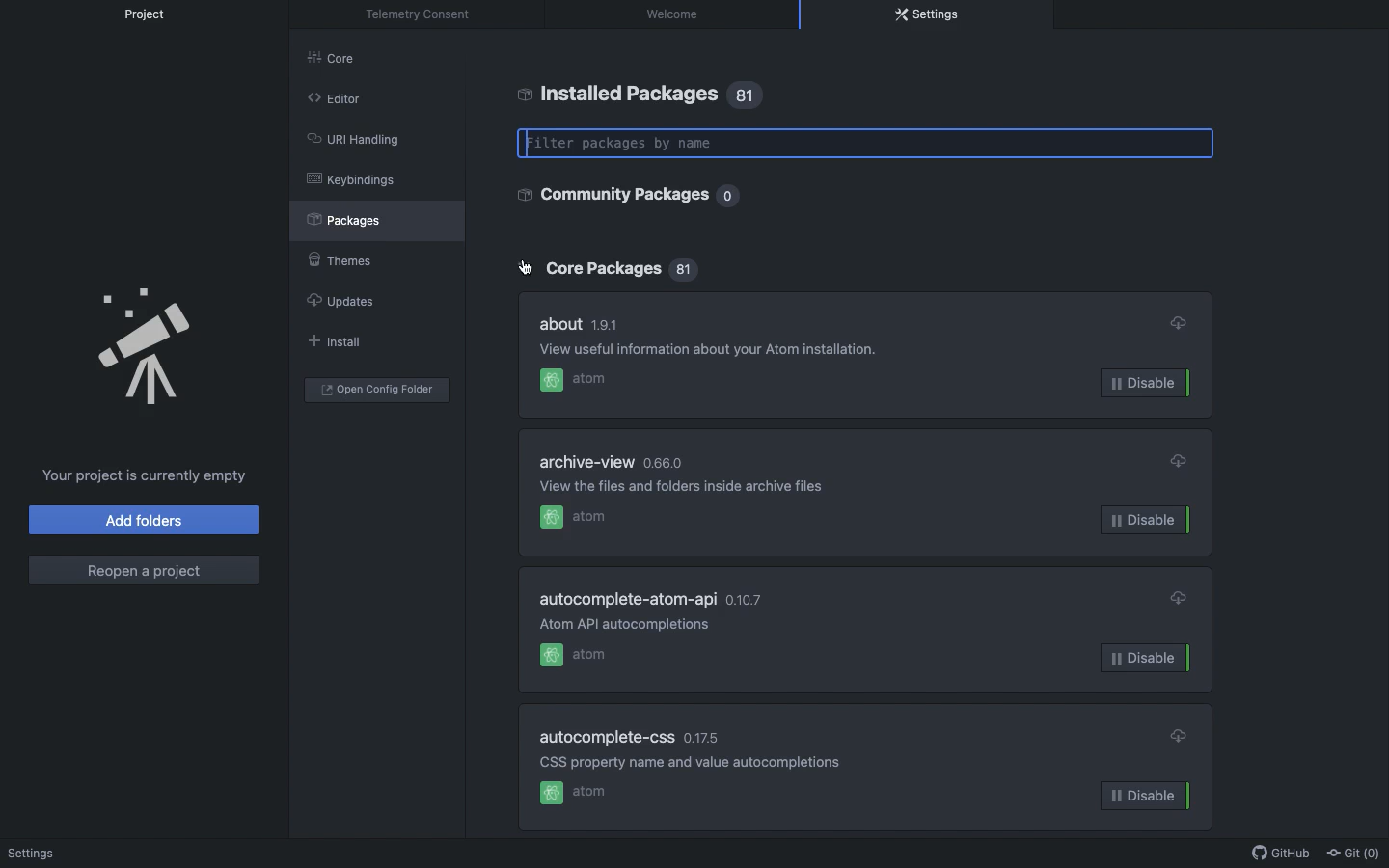 This screenshot has width=1389, height=868. Describe the element at coordinates (1276, 854) in the screenshot. I see `GitHub` at that location.